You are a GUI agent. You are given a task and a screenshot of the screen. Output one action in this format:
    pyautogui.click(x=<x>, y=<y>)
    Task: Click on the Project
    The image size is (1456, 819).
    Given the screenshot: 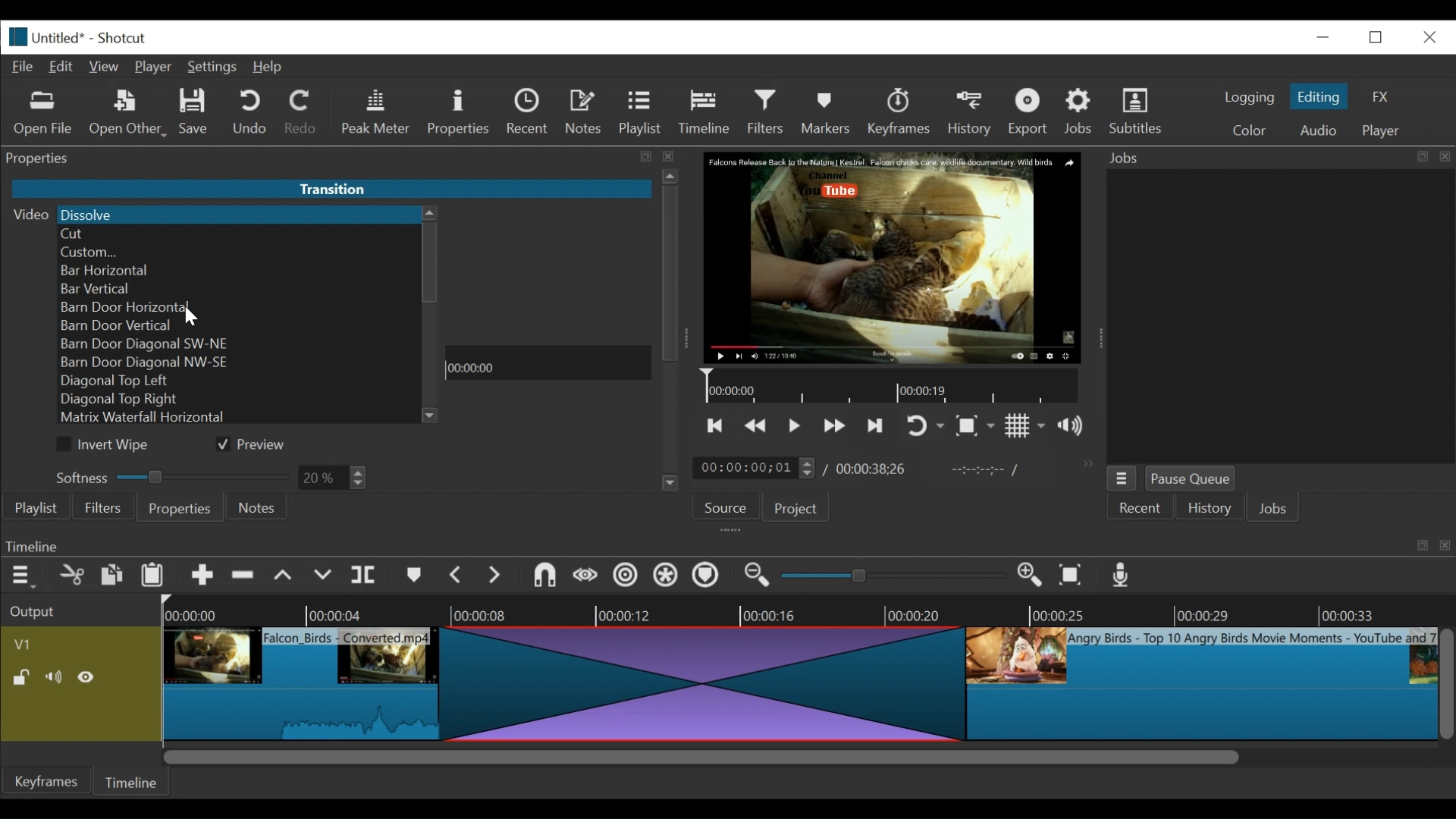 What is the action you would take?
    pyautogui.click(x=793, y=510)
    